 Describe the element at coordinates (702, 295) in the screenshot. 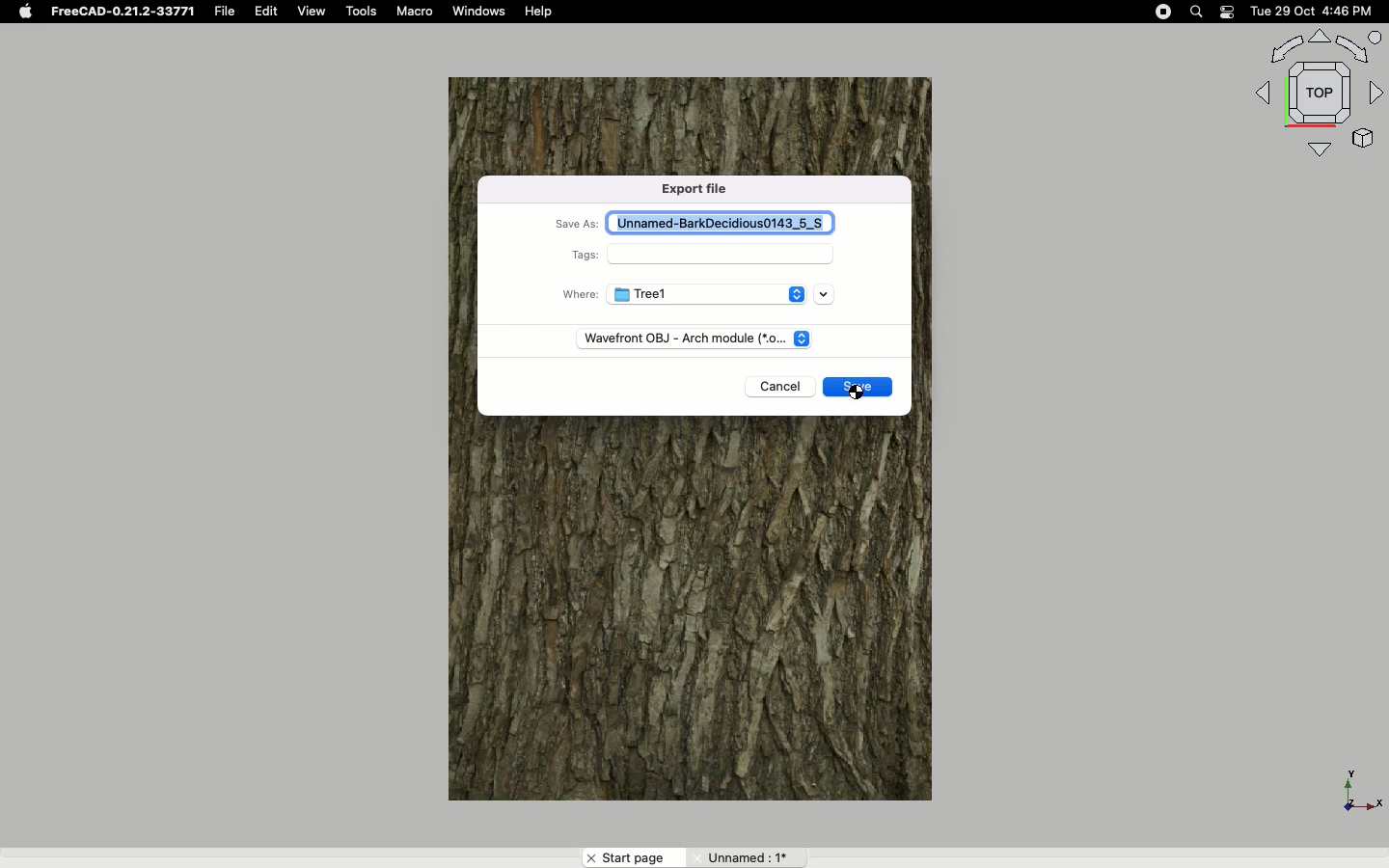

I see `Tree1` at that location.